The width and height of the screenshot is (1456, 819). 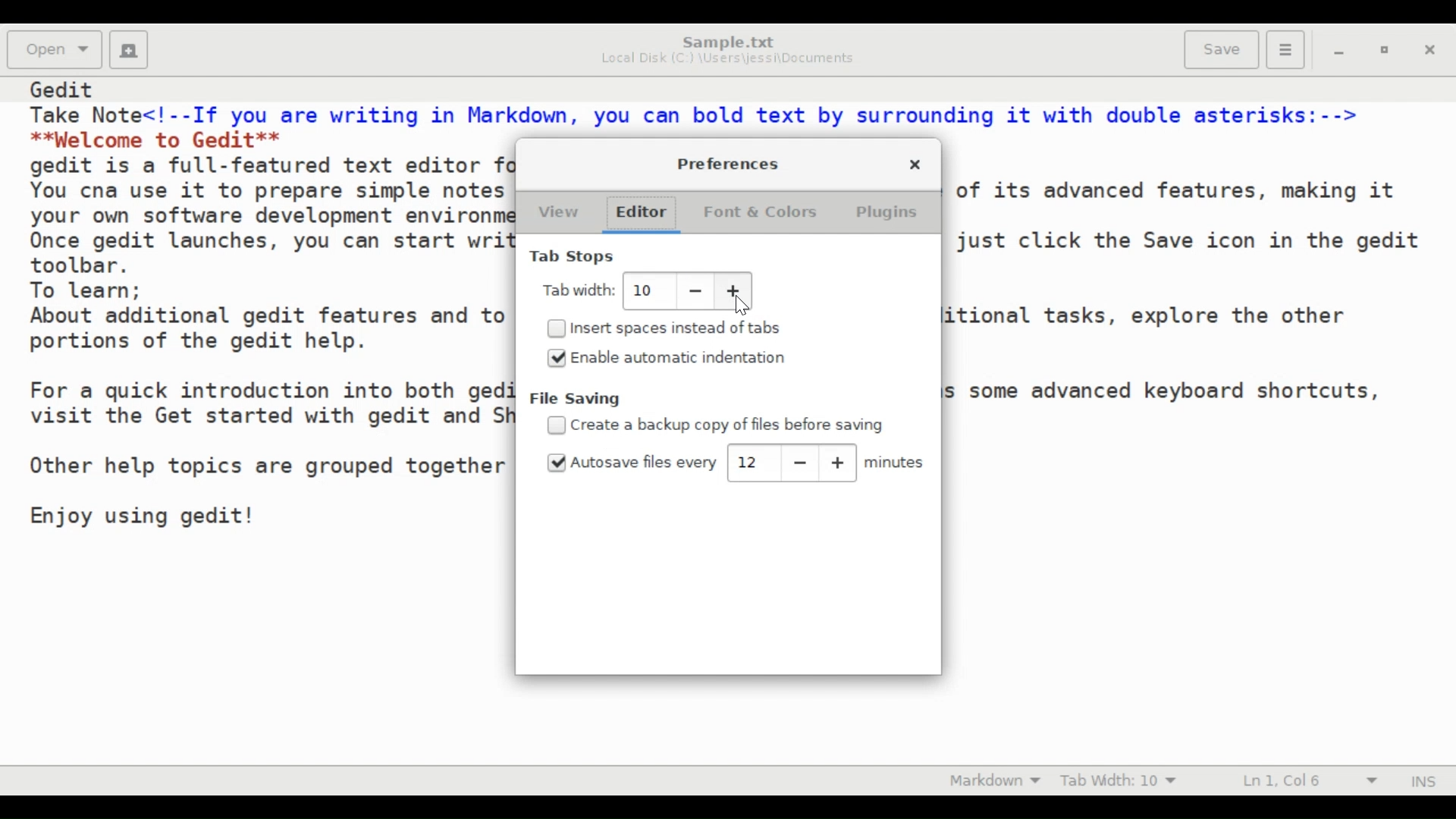 What do you see at coordinates (576, 292) in the screenshot?
I see `Tab Width` at bounding box center [576, 292].